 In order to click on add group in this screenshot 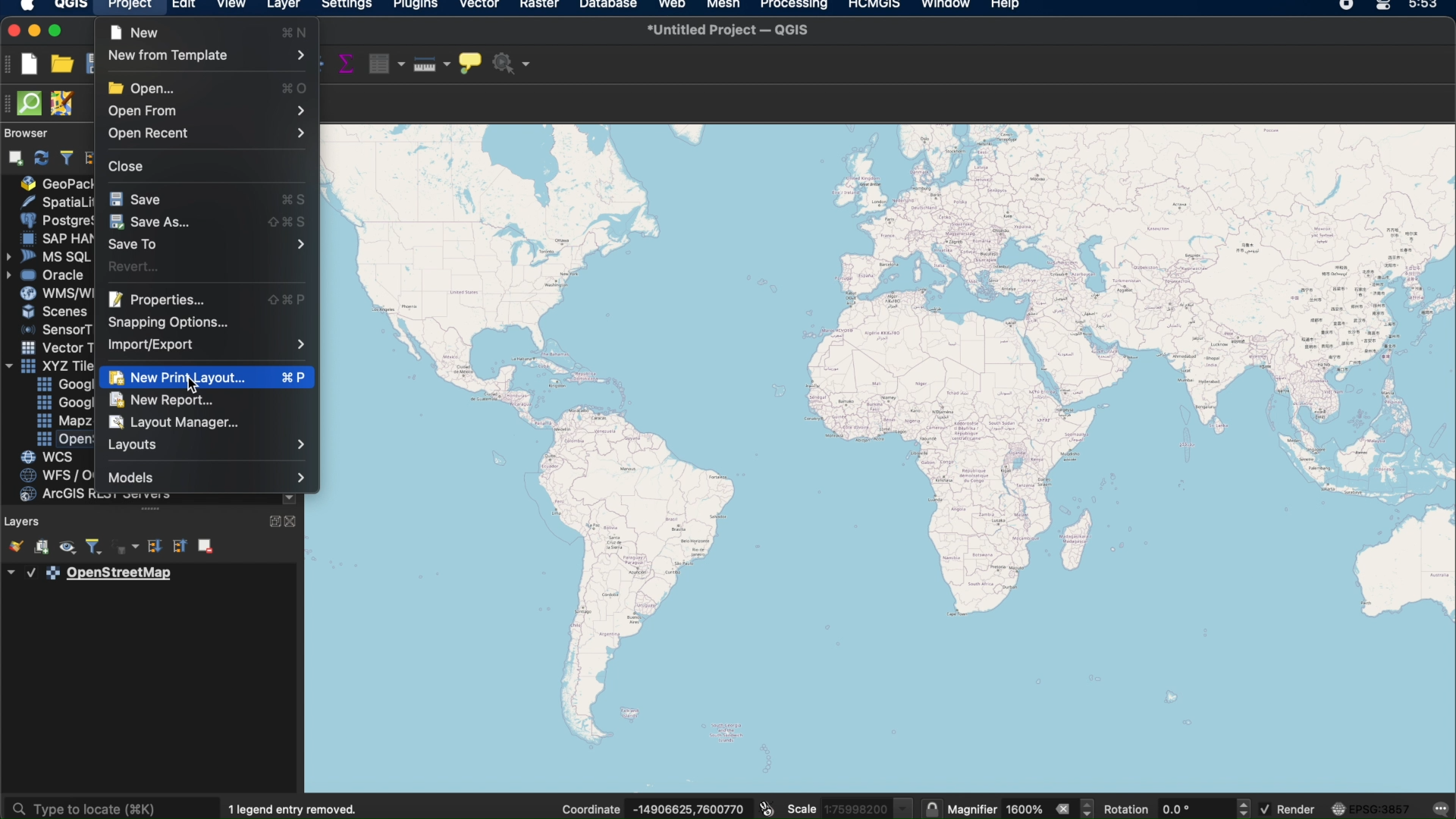, I will do `click(44, 545)`.